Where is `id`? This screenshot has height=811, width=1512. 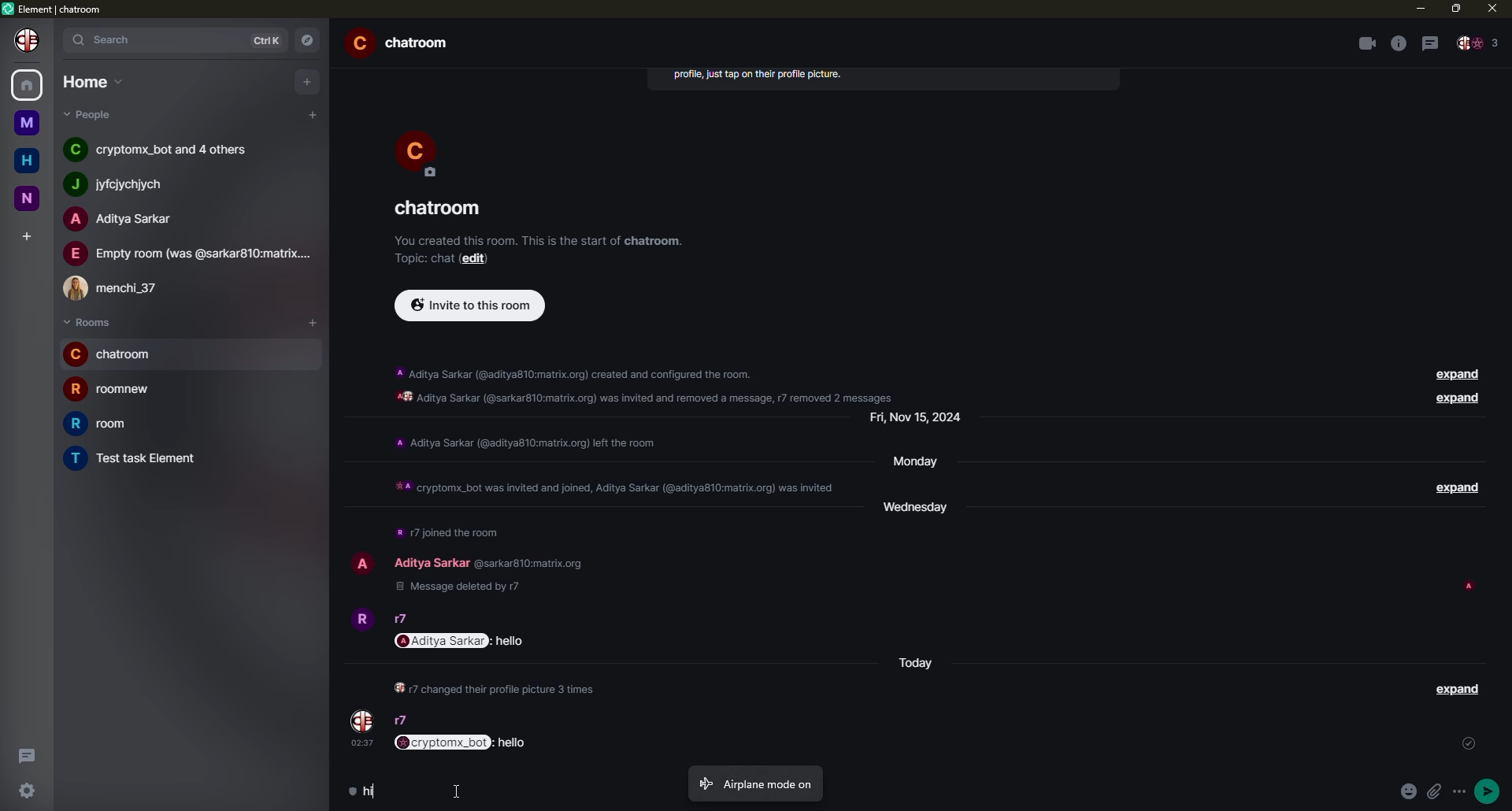
id is located at coordinates (534, 562).